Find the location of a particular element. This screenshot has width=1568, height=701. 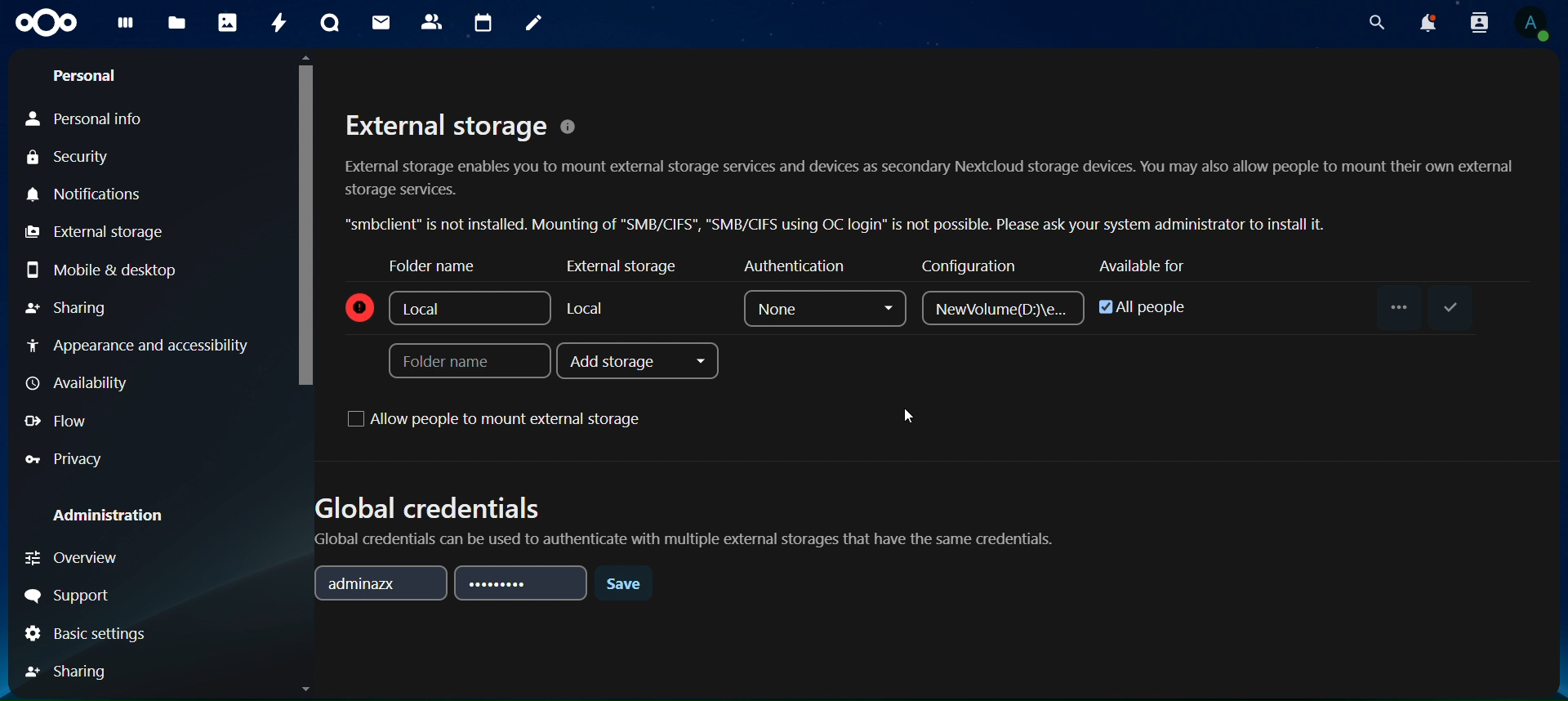

Global credentials
Global credentials can be used to authenticate with multiple external storages that have the same credentials. is located at coordinates (693, 516).